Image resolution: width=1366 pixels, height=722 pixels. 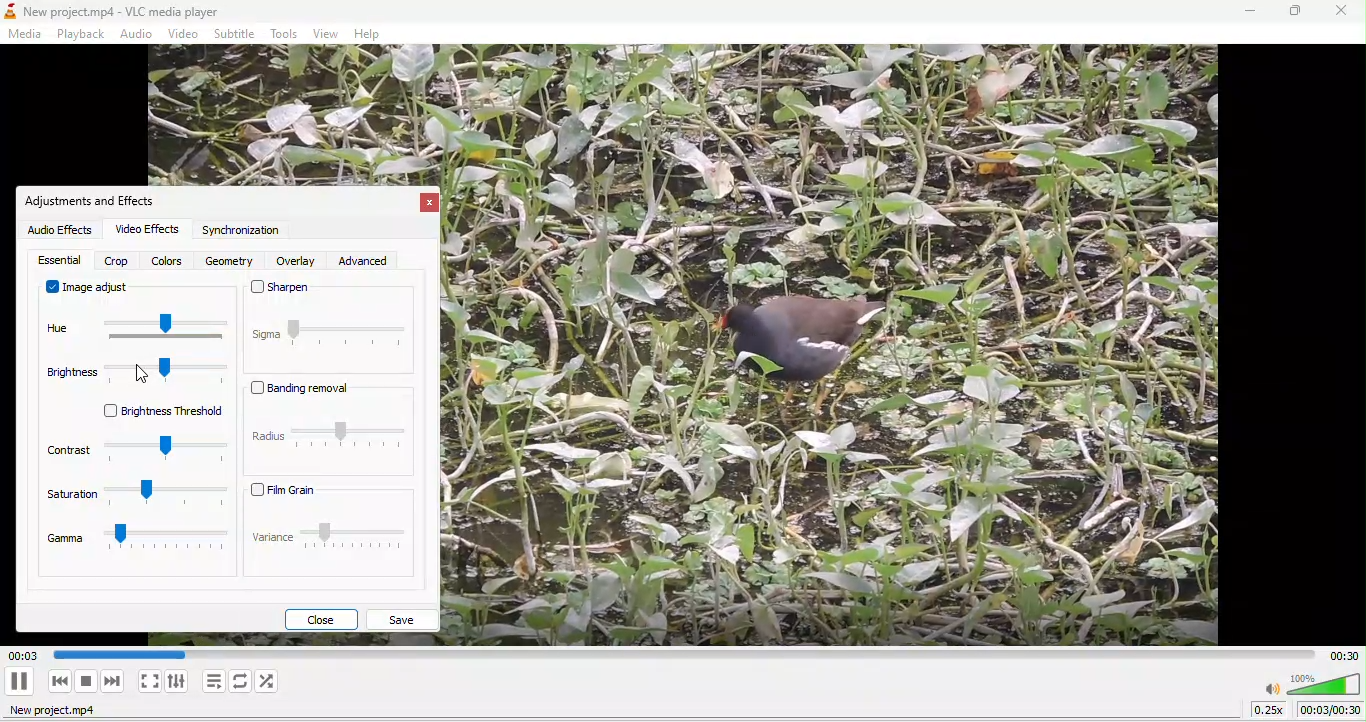 I want to click on audio effects, so click(x=59, y=231).